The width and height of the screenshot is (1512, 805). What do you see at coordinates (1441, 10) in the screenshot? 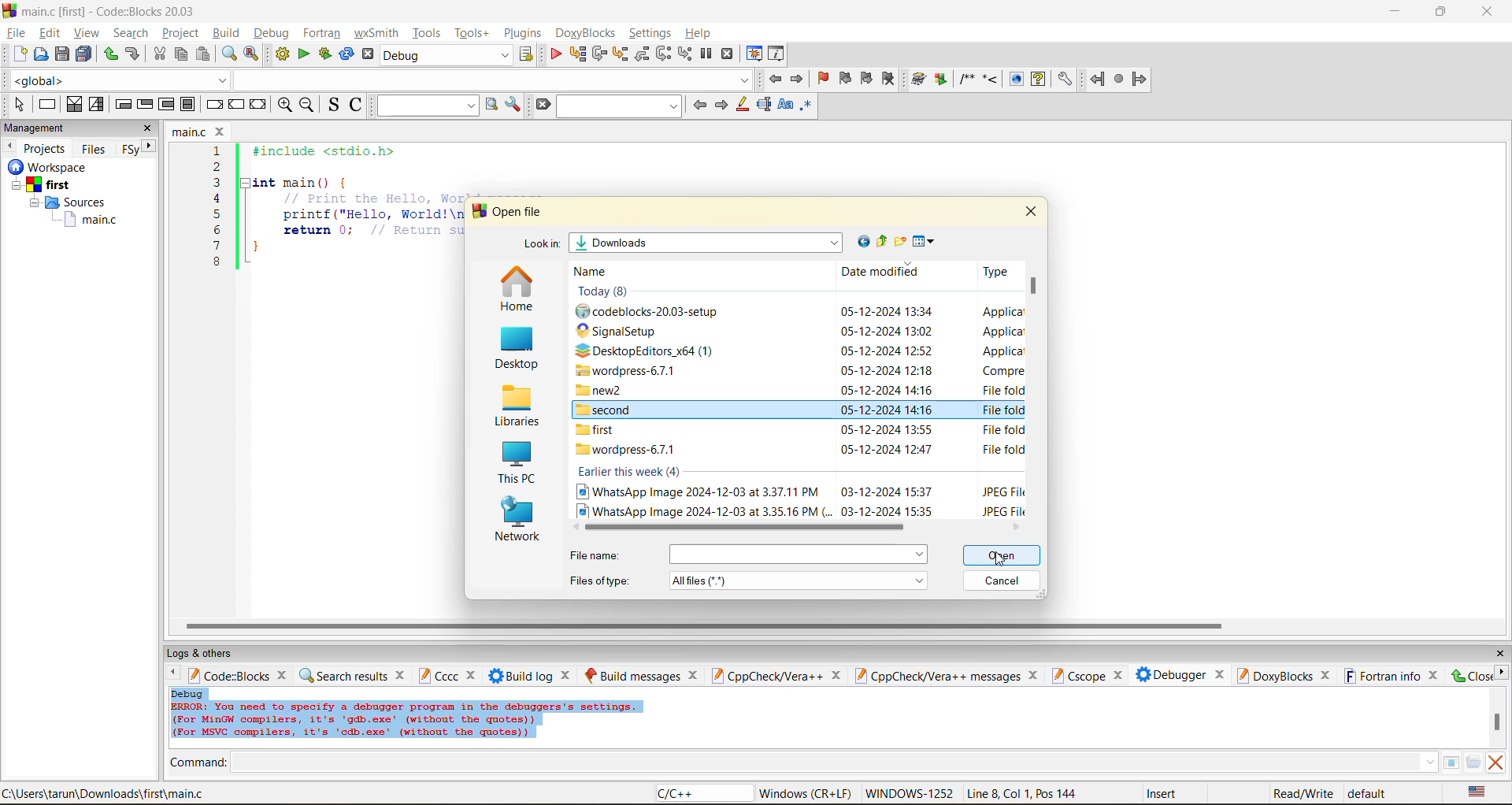
I see `resize` at bounding box center [1441, 10].